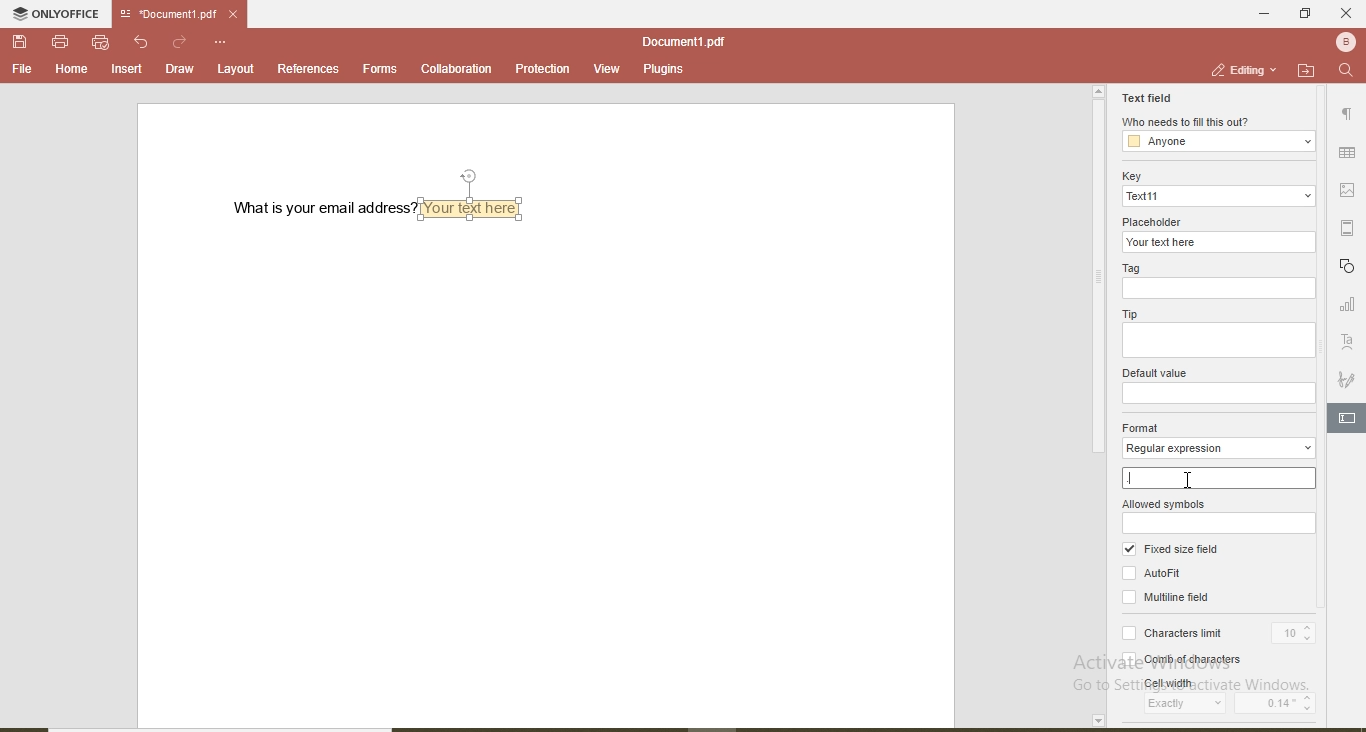 This screenshot has width=1366, height=732. What do you see at coordinates (22, 43) in the screenshot?
I see `save` at bounding box center [22, 43].